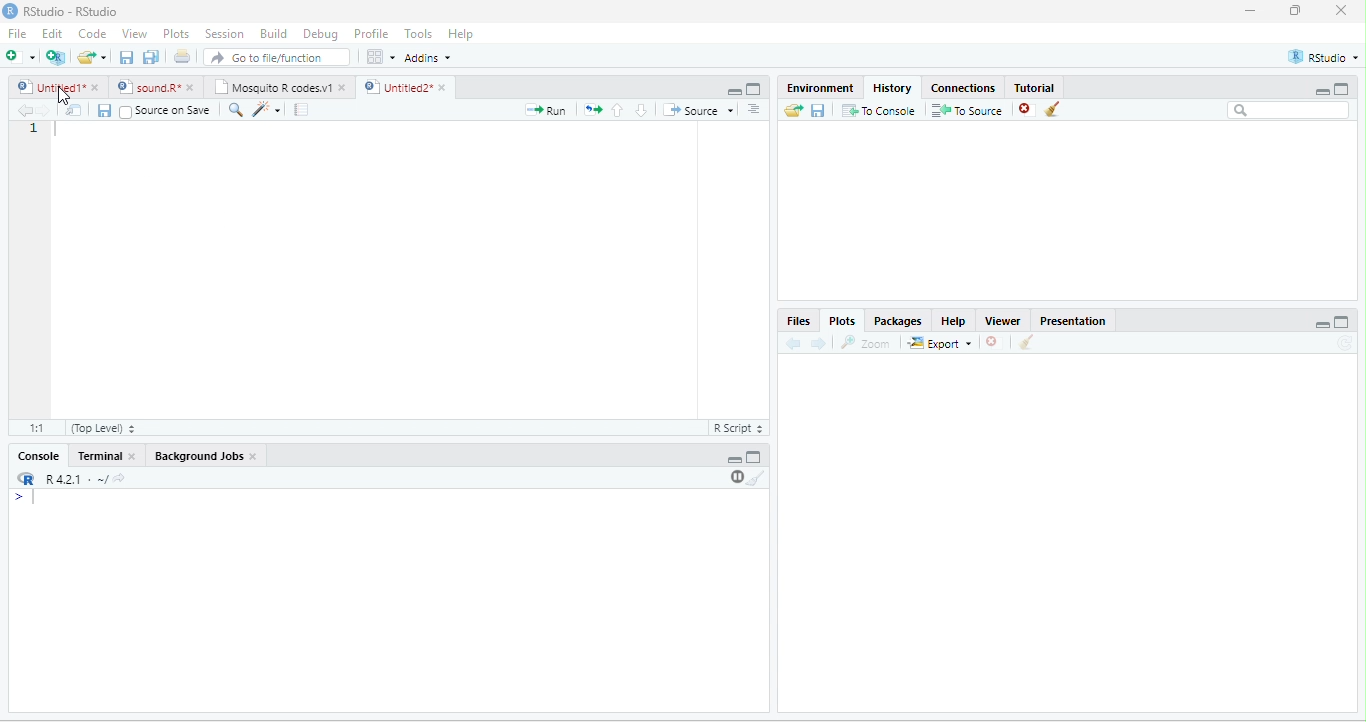 The width and height of the screenshot is (1366, 722). What do you see at coordinates (843, 322) in the screenshot?
I see `Plots` at bounding box center [843, 322].